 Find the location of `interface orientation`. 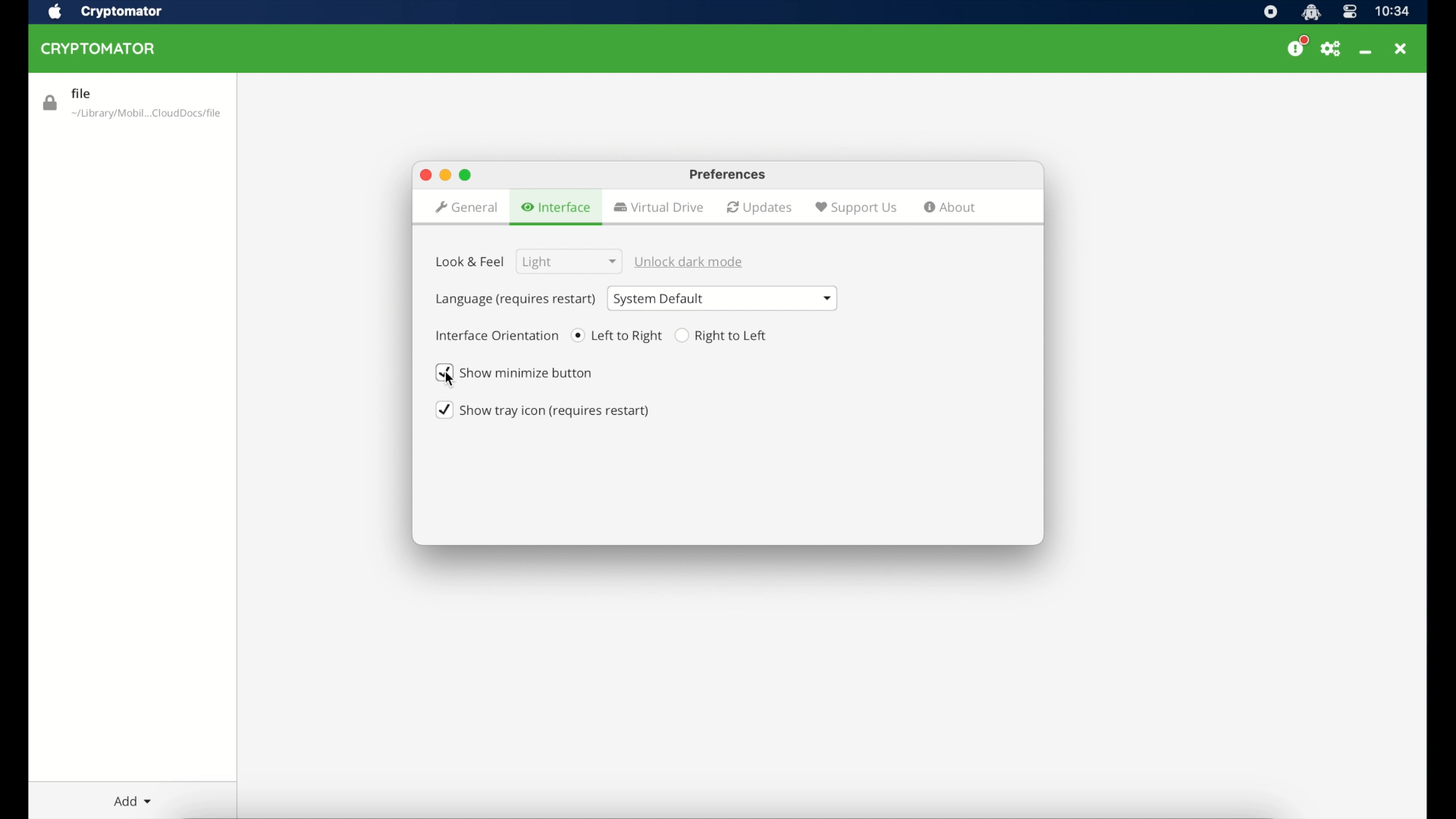

interface orientation is located at coordinates (497, 335).